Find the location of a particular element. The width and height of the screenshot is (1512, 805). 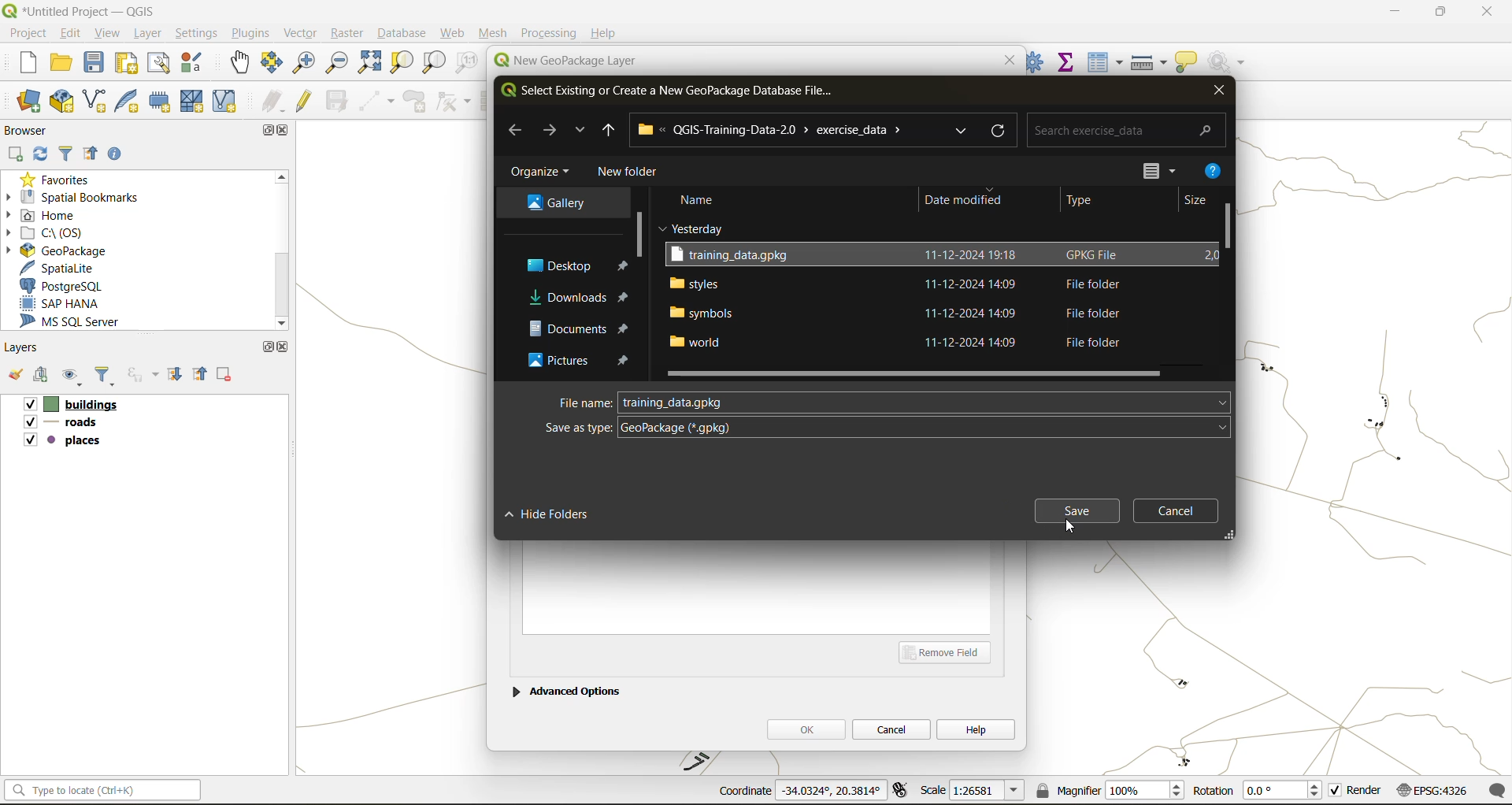

Yesterday is located at coordinates (684, 227).